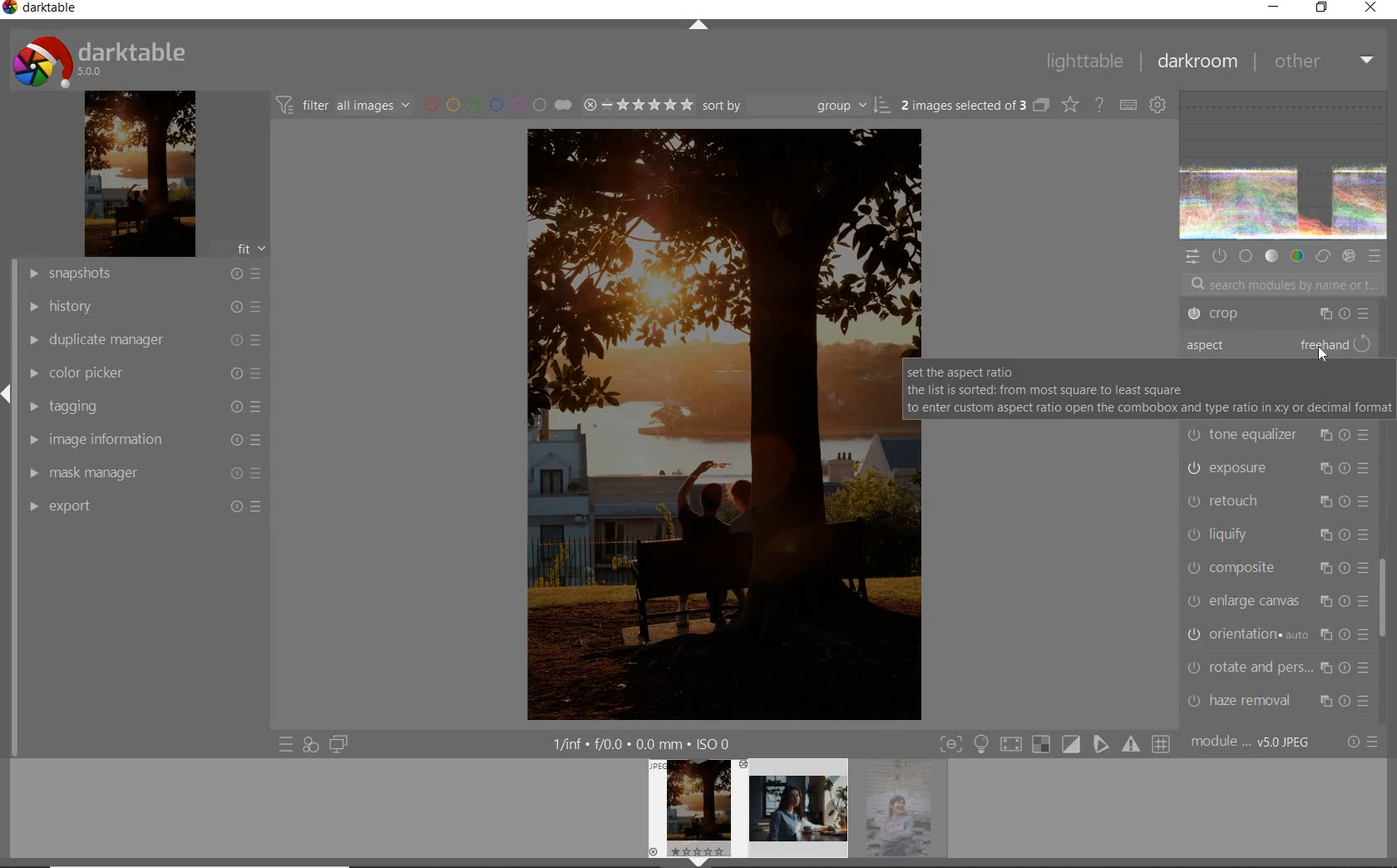 The width and height of the screenshot is (1397, 868). What do you see at coordinates (1041, 106) in the screenshot?
I see `collapse grouped images` at bounding box center [1041, 106].